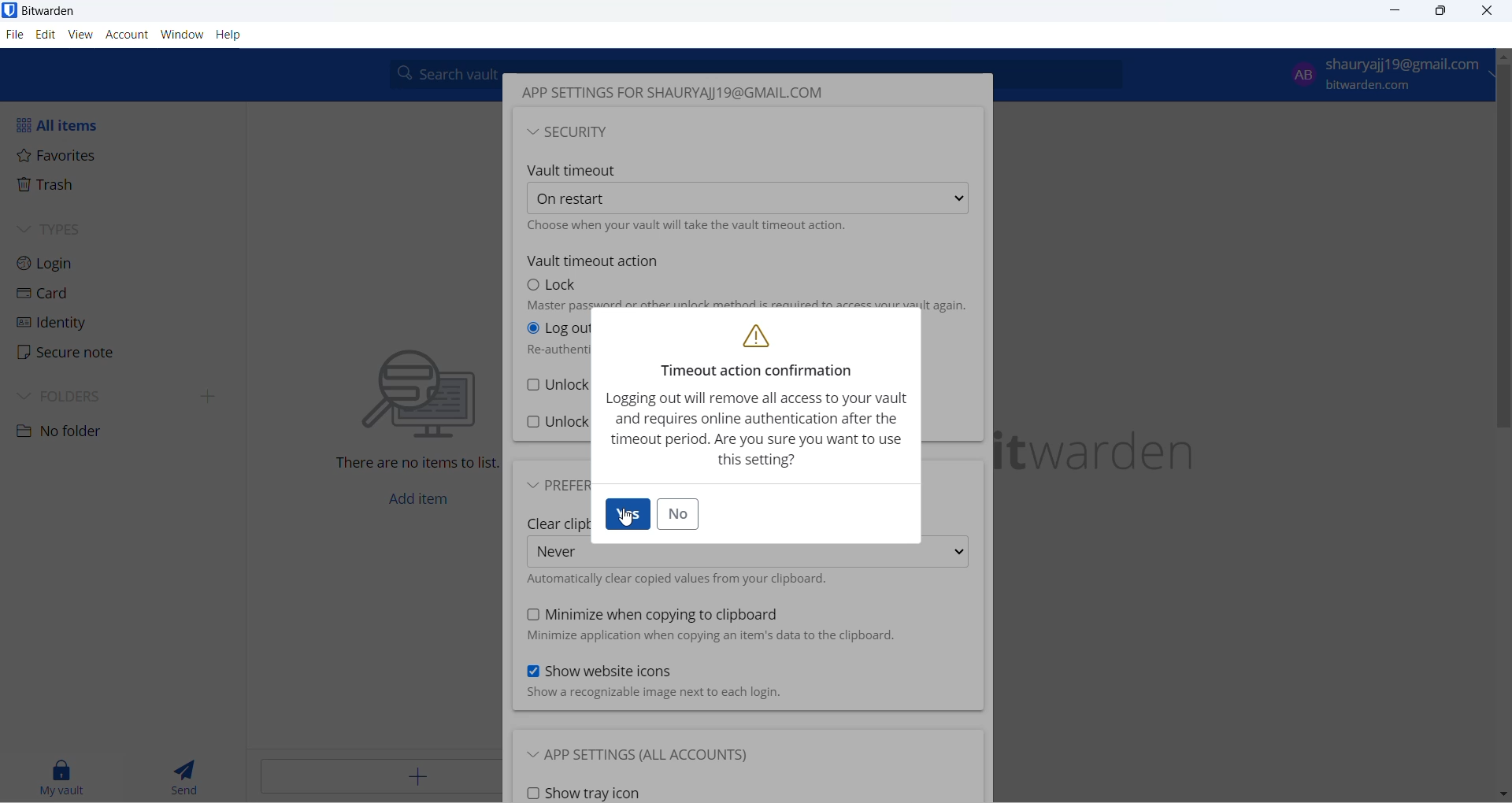 This screenshot has height=803, width=1512. Describe the element at coordinates (46, 11) in the screenshot. I see `application name and logo` at that location.